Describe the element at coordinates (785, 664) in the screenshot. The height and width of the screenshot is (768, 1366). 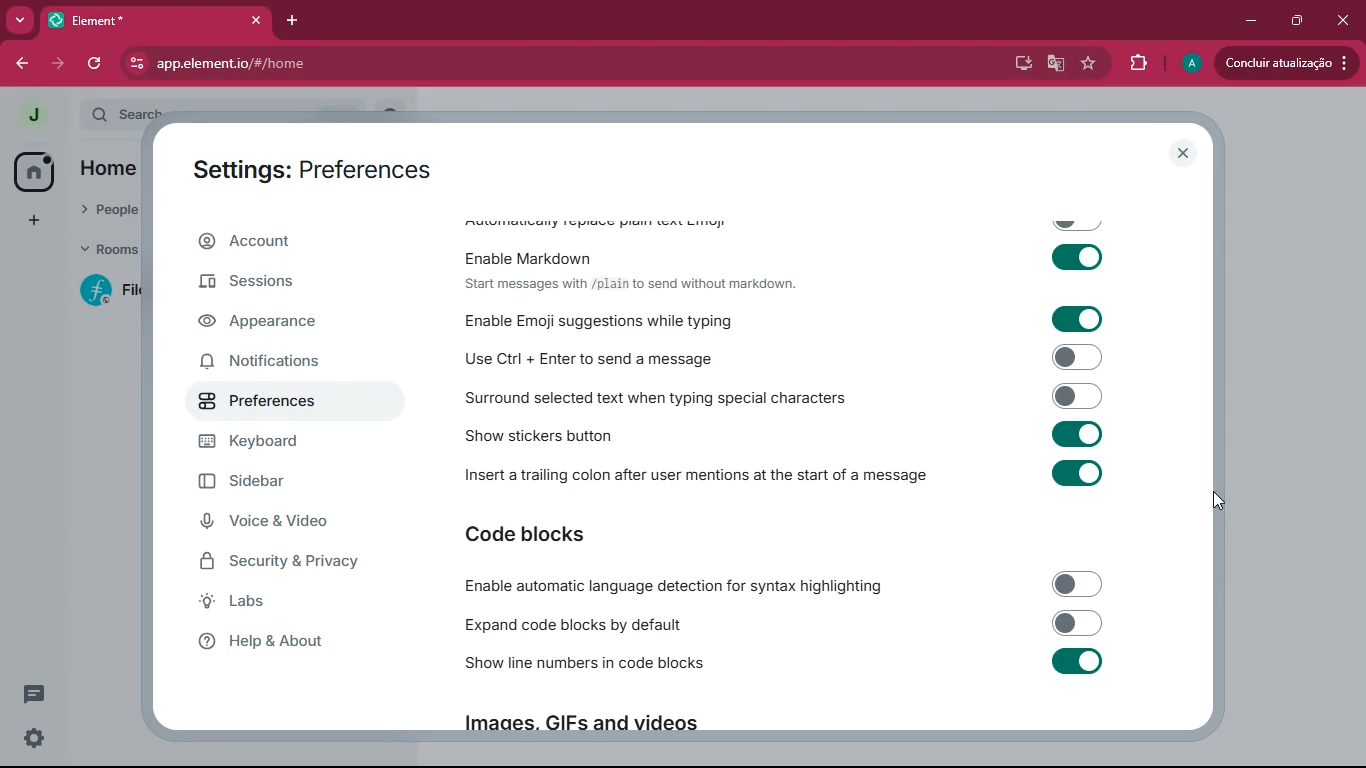
I see `Show line numbers in code blocks` at that location.